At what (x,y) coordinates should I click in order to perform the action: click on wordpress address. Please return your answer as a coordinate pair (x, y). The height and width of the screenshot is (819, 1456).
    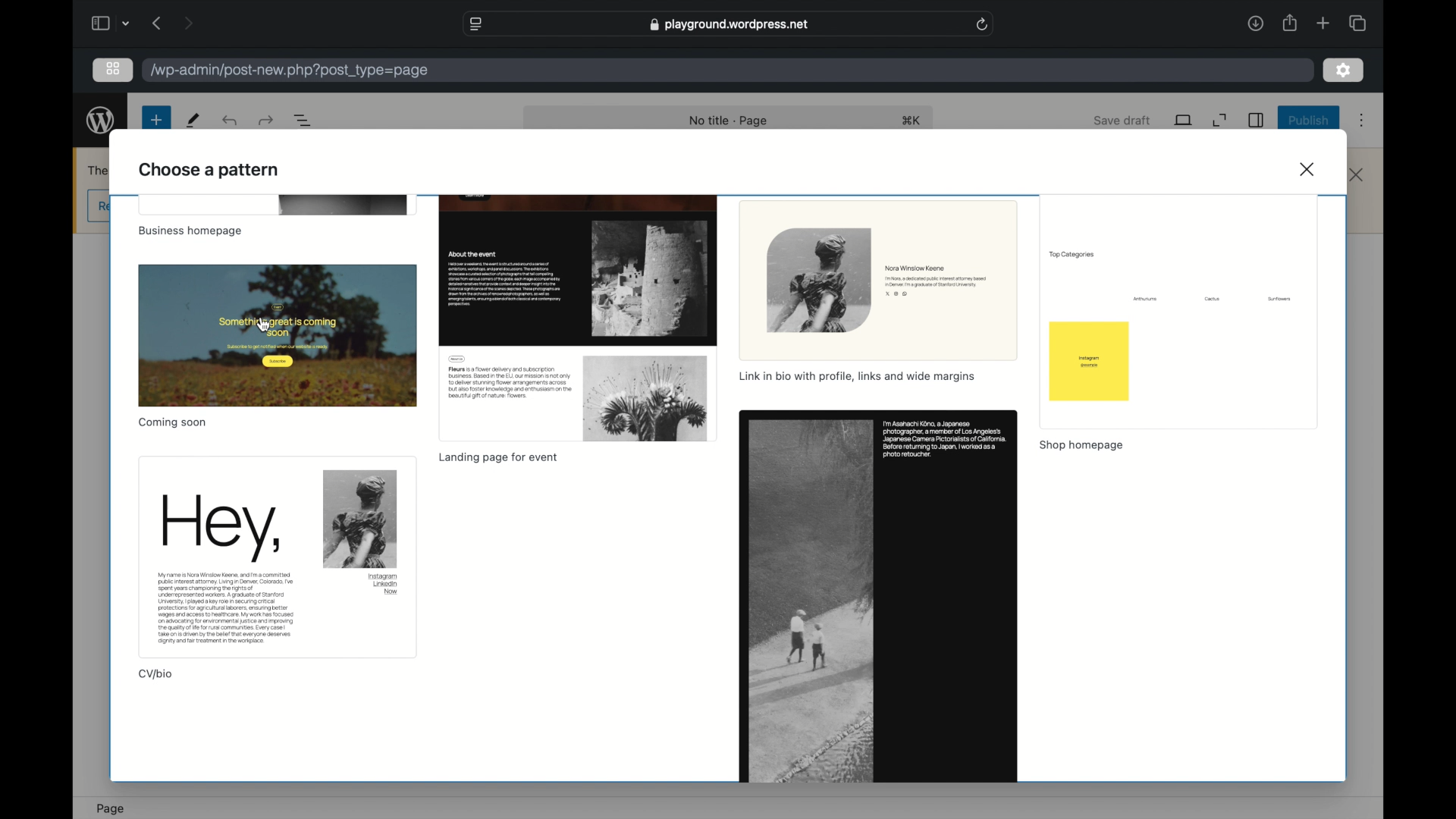
    Looking at the image, I should click on (288, 71).